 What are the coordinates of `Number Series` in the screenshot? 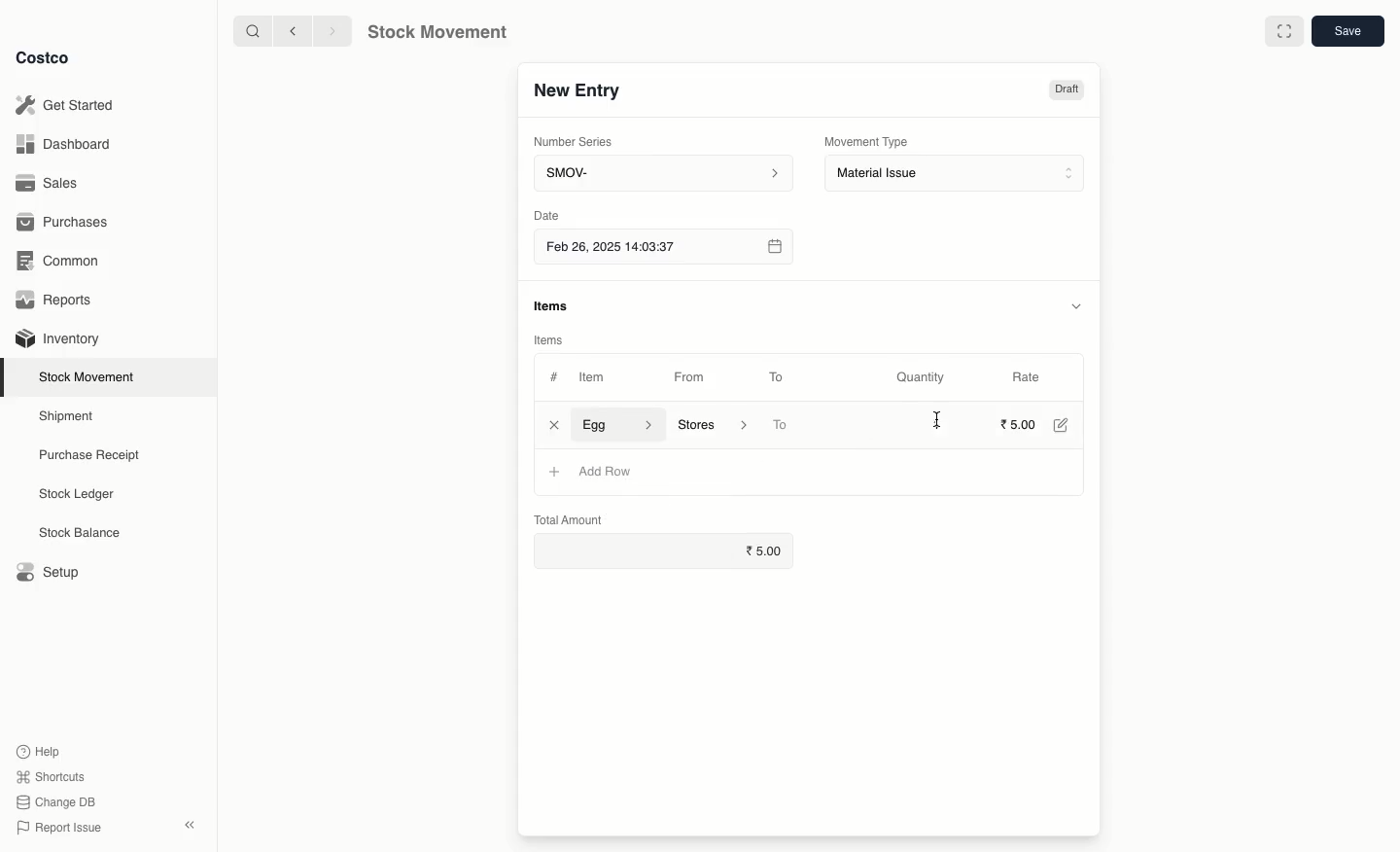 It's located at (580, 145).